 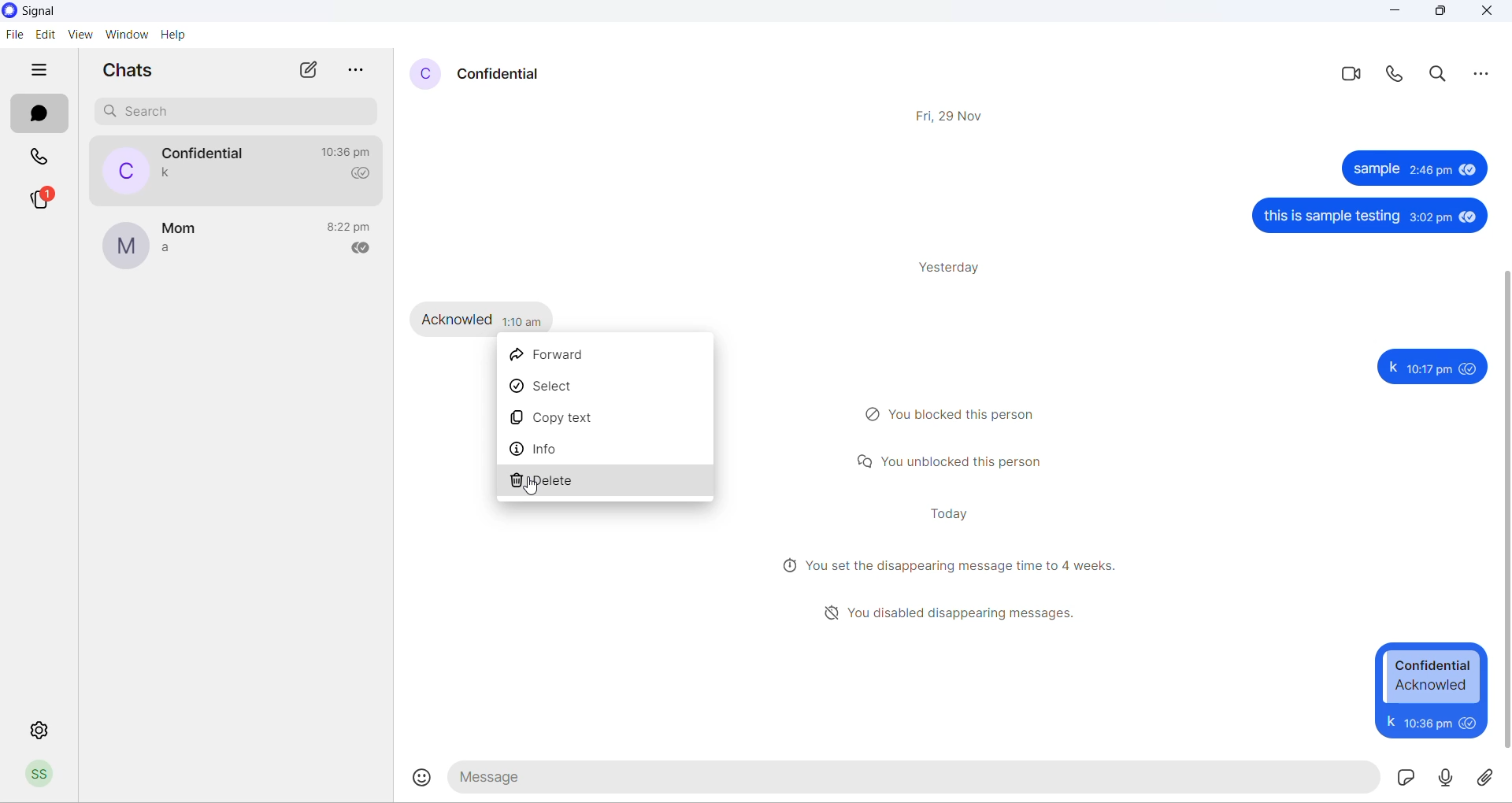 What do you see at coordinates (606, 479) in the screenshot?
I see `delete` at bounding box center [606, 479].